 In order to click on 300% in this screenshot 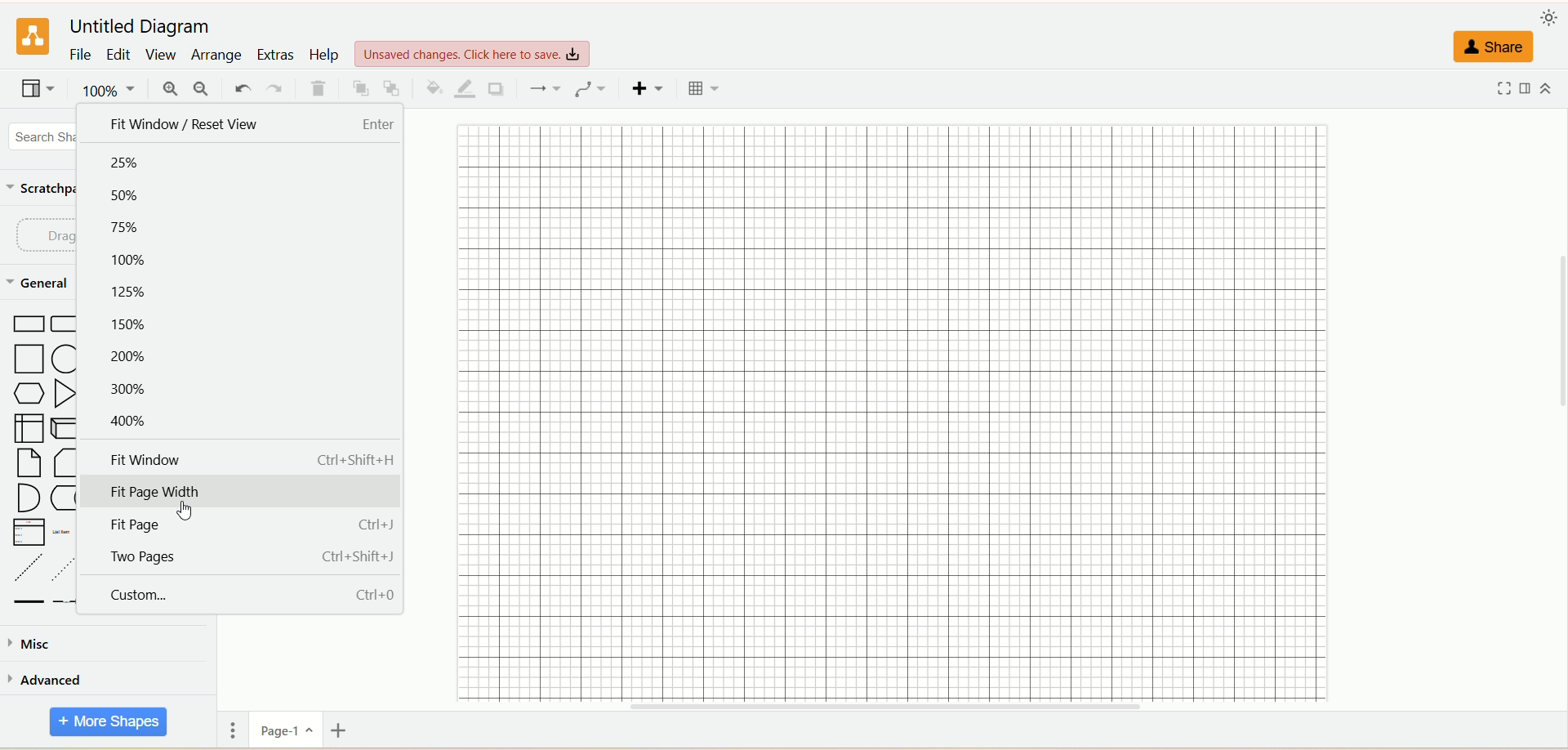, I will do `click(127, 391)`.